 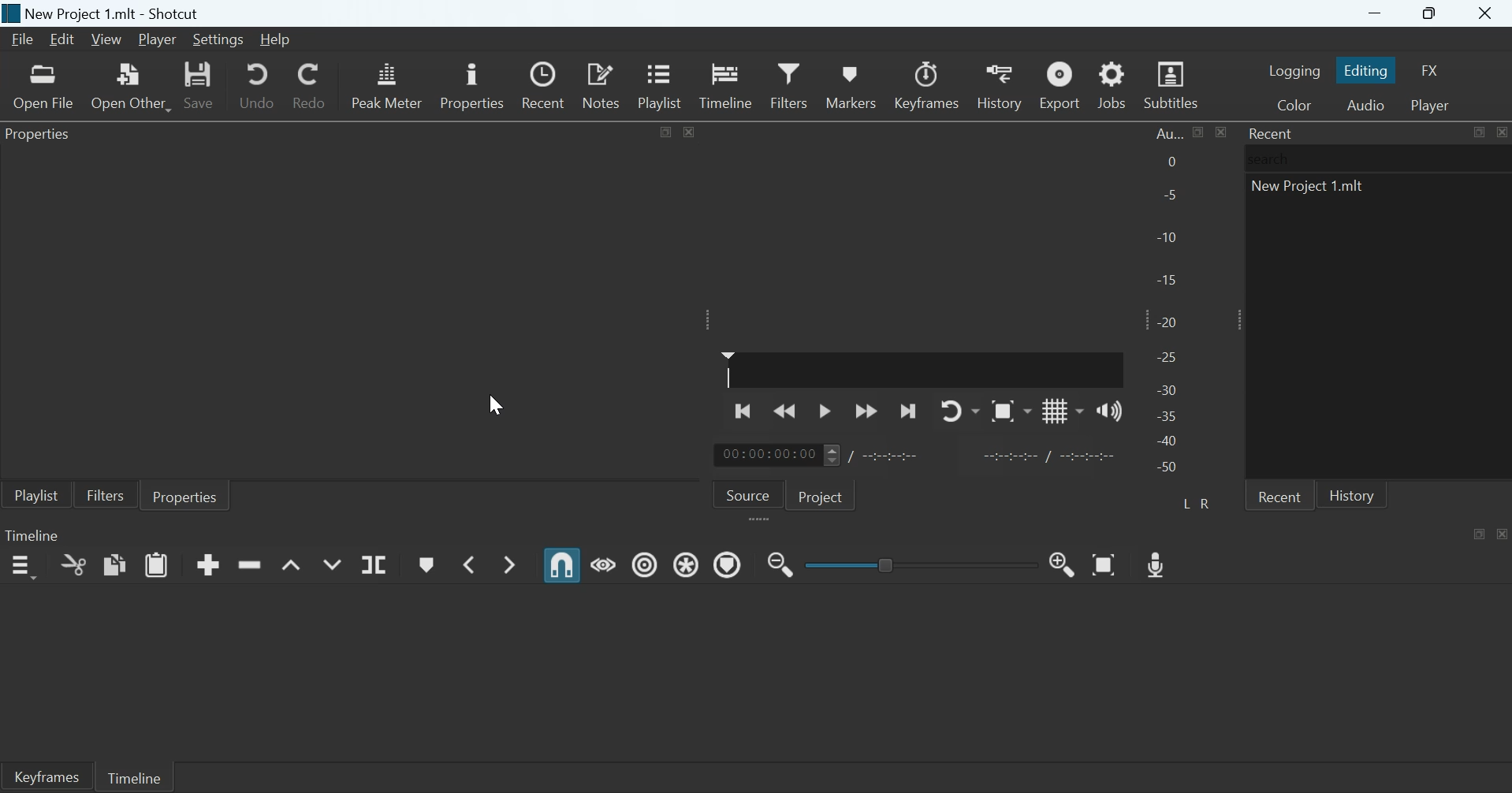 What do you see at coordinates (1503, 533) in the screenshot?
I see `Close` at bounding box center [1503, 533].